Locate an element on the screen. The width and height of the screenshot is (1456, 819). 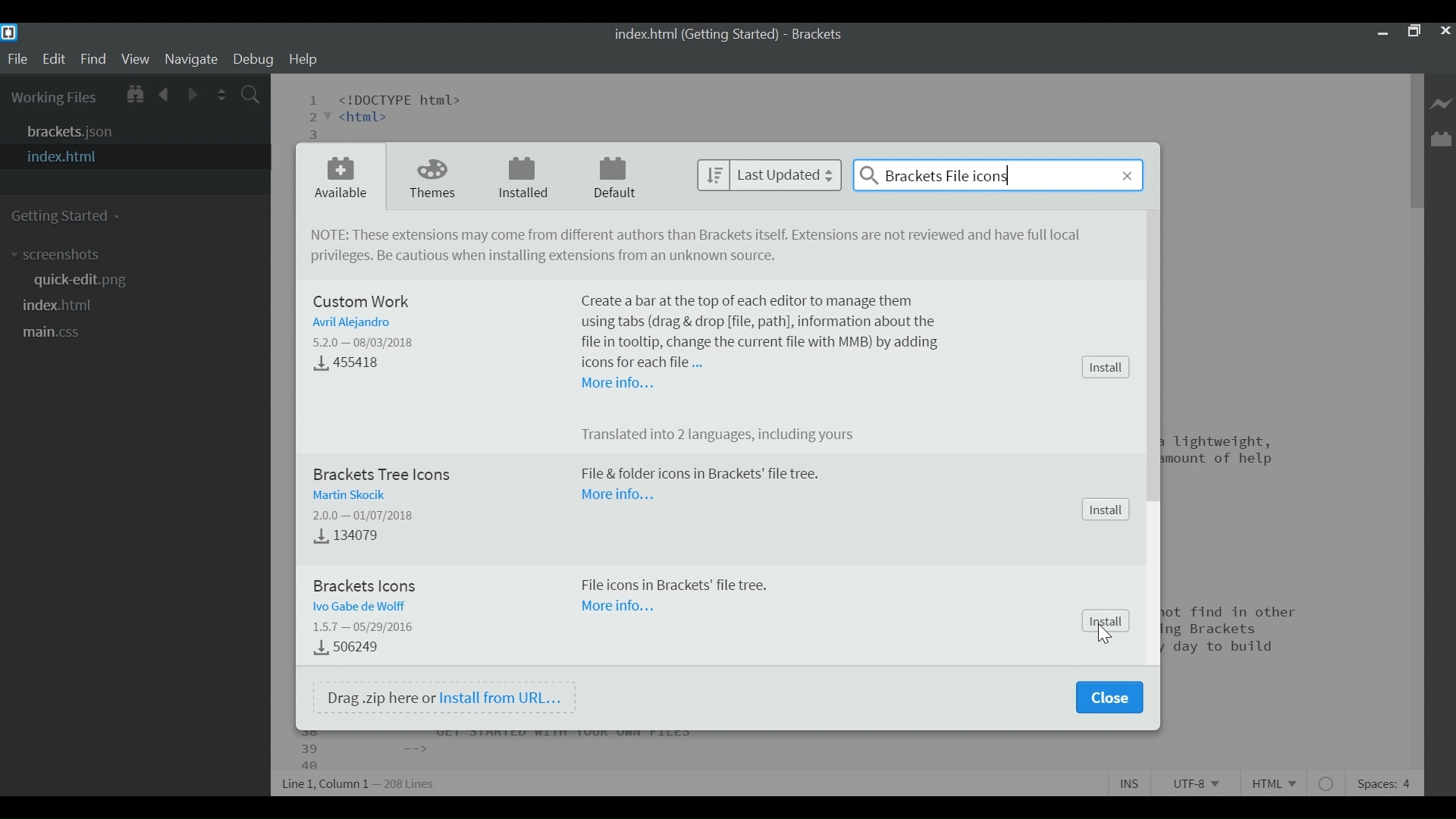
Getting Started is located at coordinates (68, 215).